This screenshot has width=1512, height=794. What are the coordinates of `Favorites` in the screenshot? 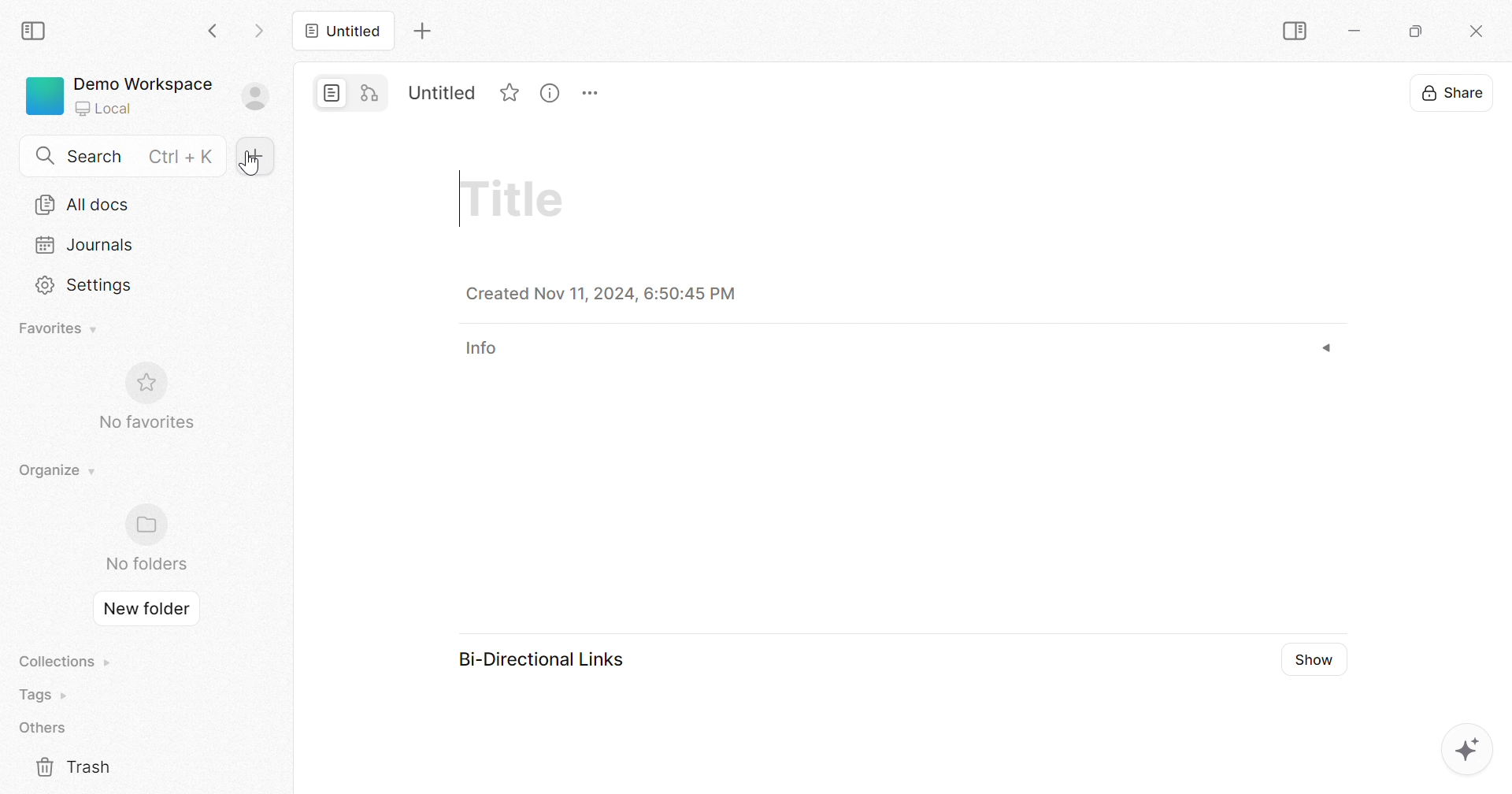 It's located at (513, 95).